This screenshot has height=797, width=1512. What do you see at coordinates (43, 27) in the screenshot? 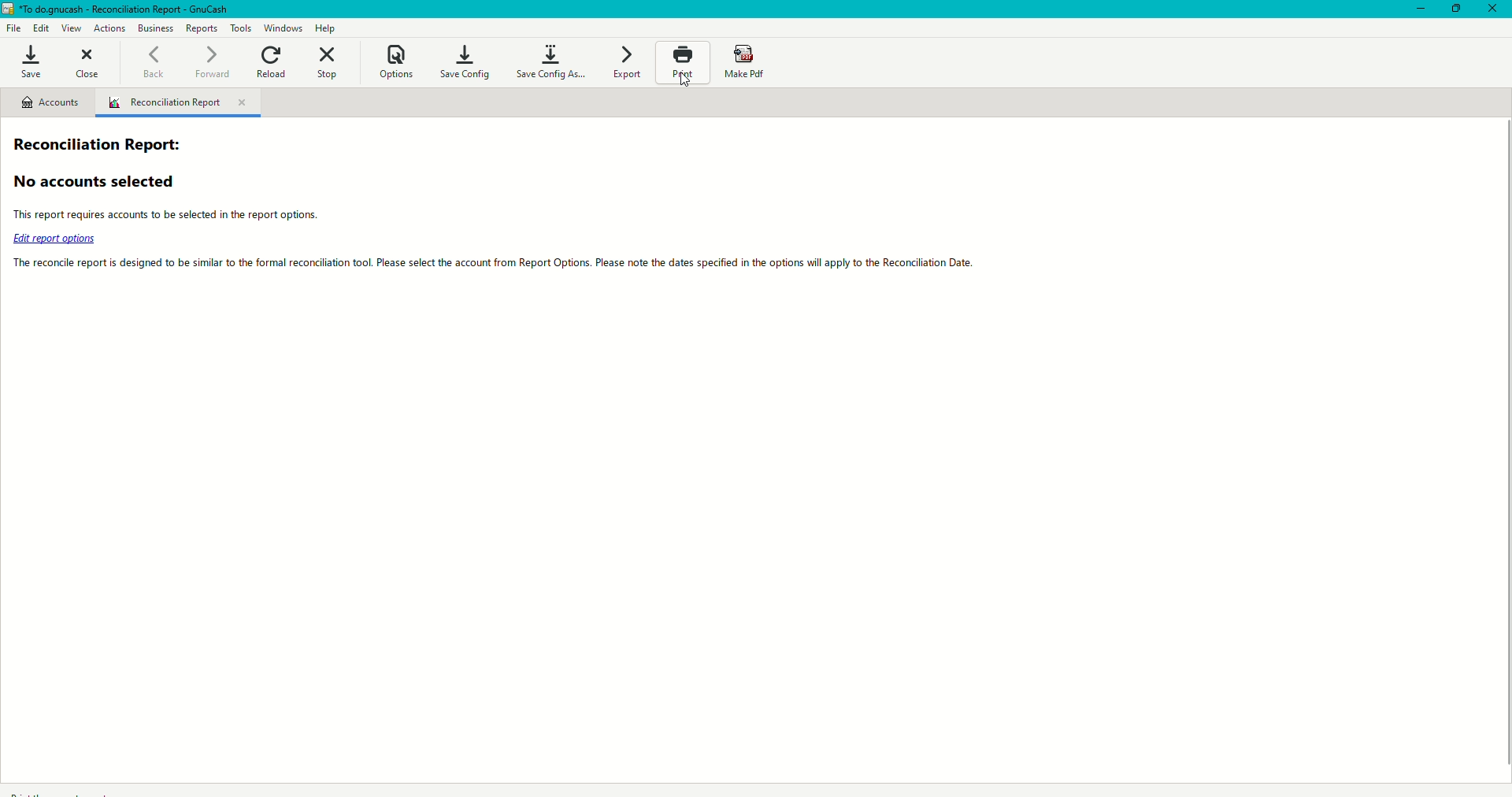
I see `Edit` at bounding box center [43, 27].